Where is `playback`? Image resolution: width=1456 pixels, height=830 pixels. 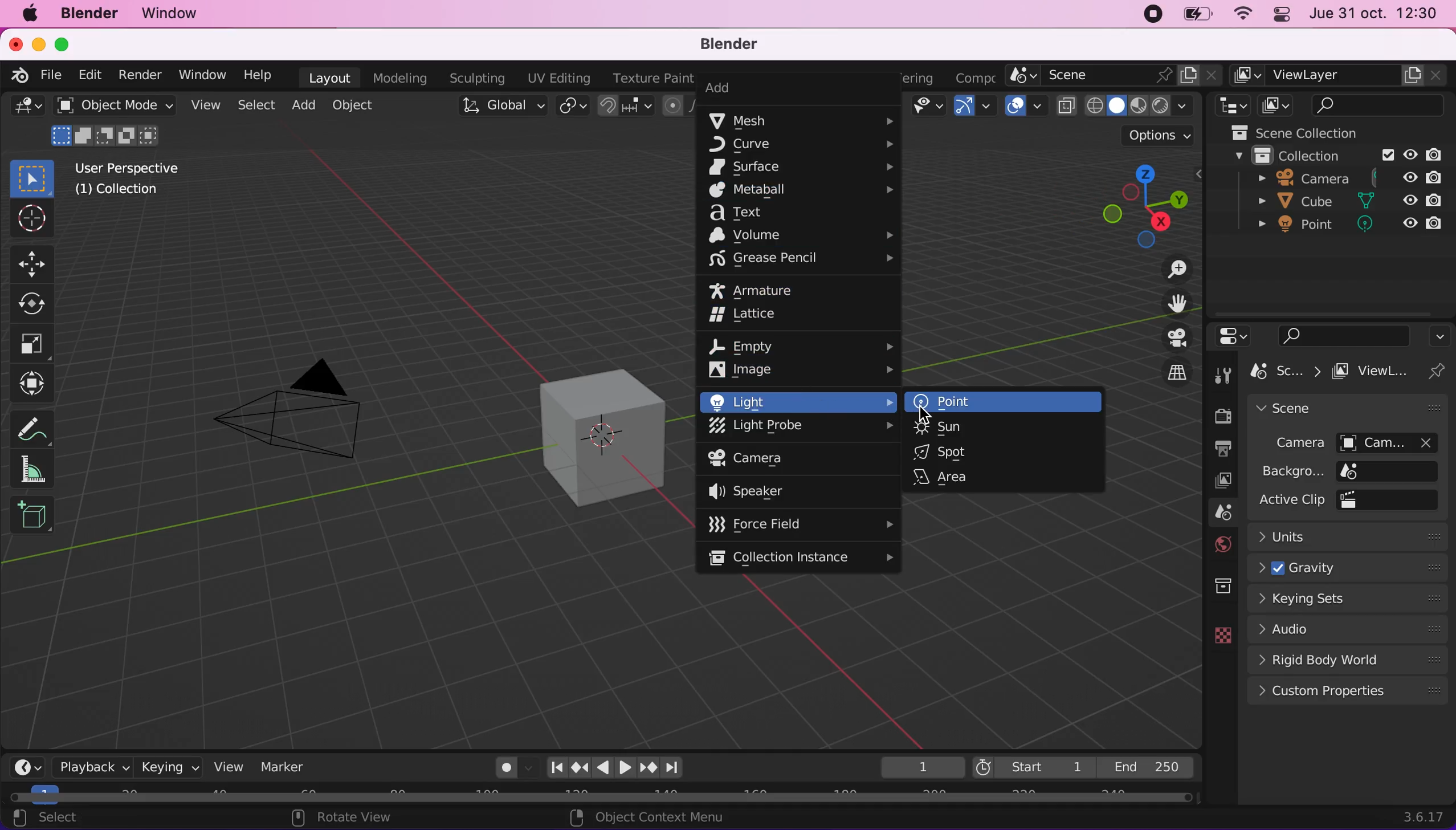
playback is located at coordinates (87, 766).